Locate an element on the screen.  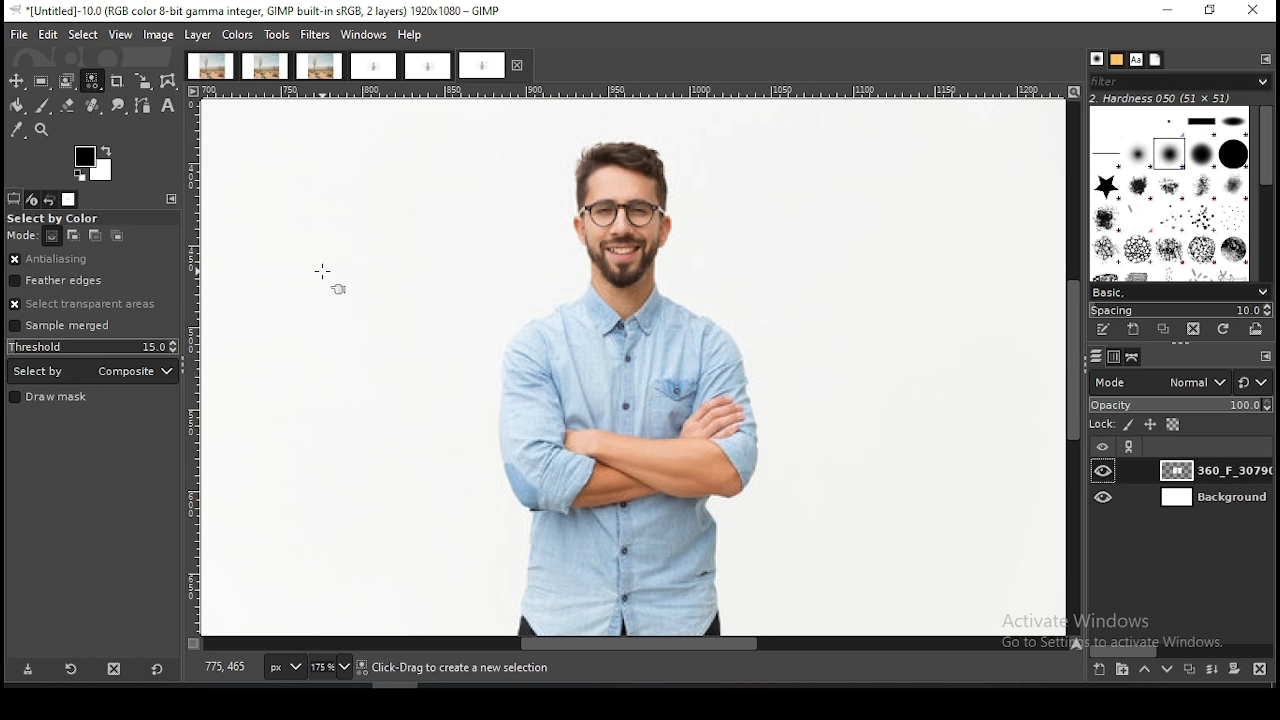
scale is located at coordinates (637, 92).